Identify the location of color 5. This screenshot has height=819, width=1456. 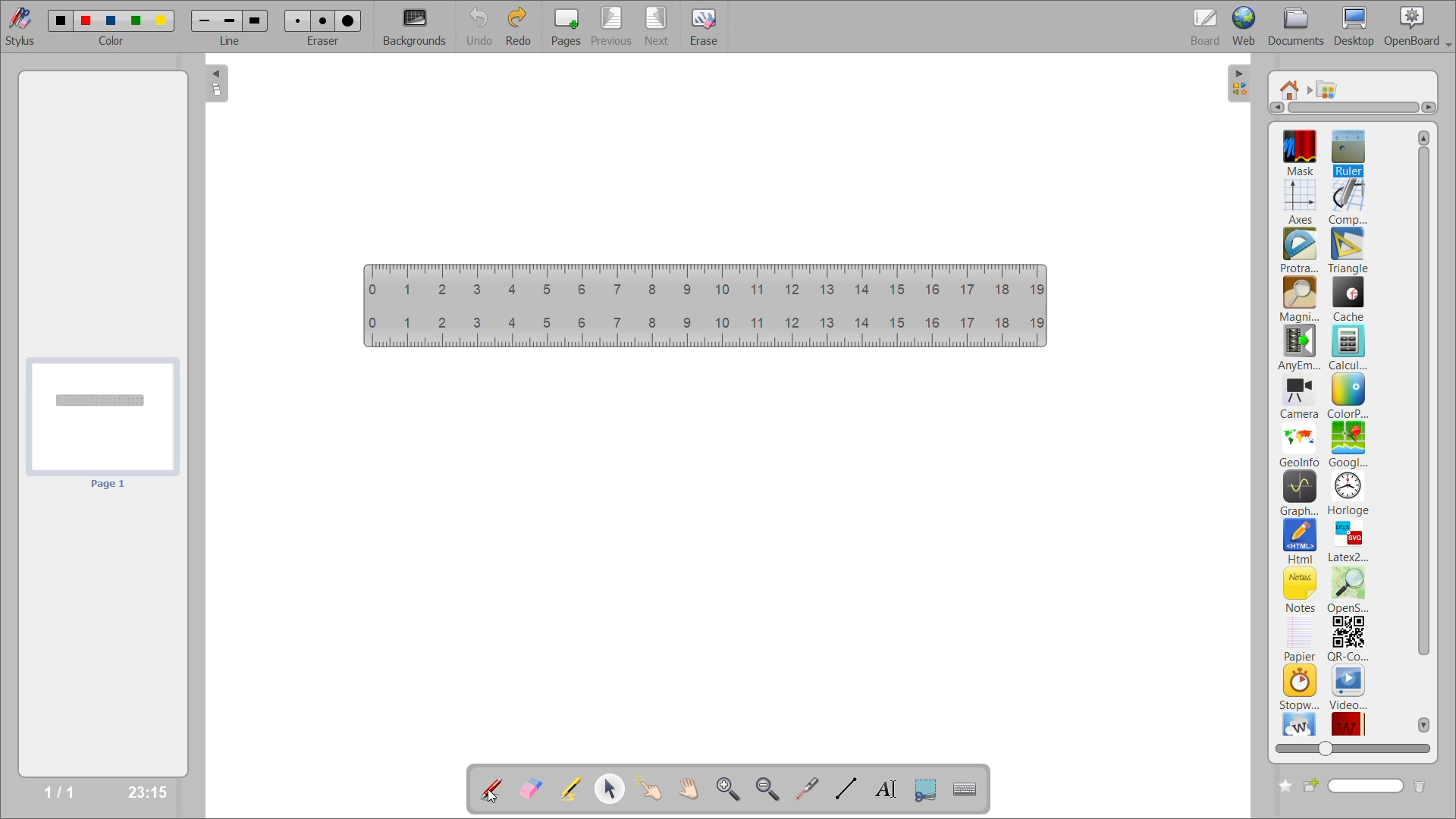
(159, 20).